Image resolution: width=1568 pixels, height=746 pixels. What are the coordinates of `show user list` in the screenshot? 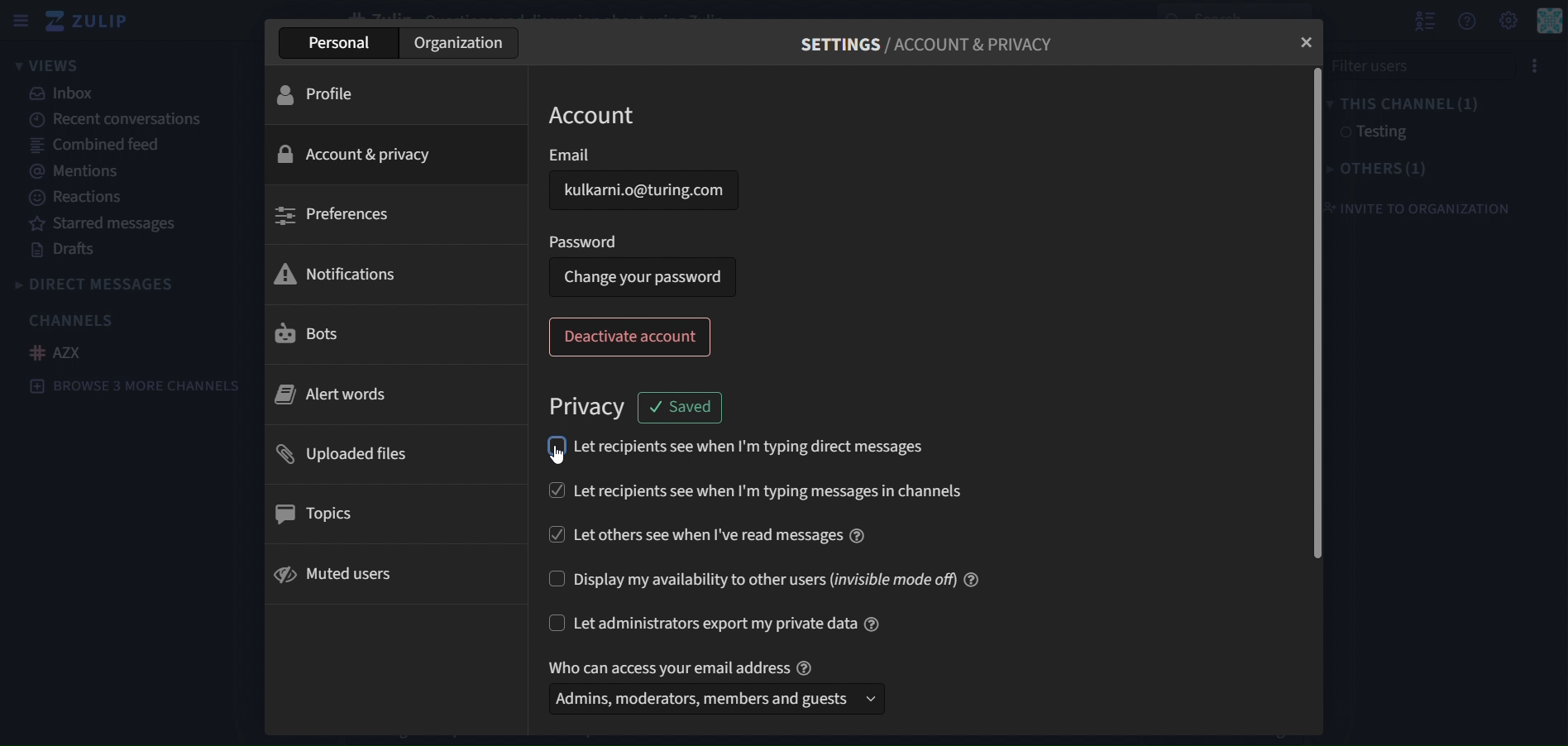 It's located at (1422, 22).